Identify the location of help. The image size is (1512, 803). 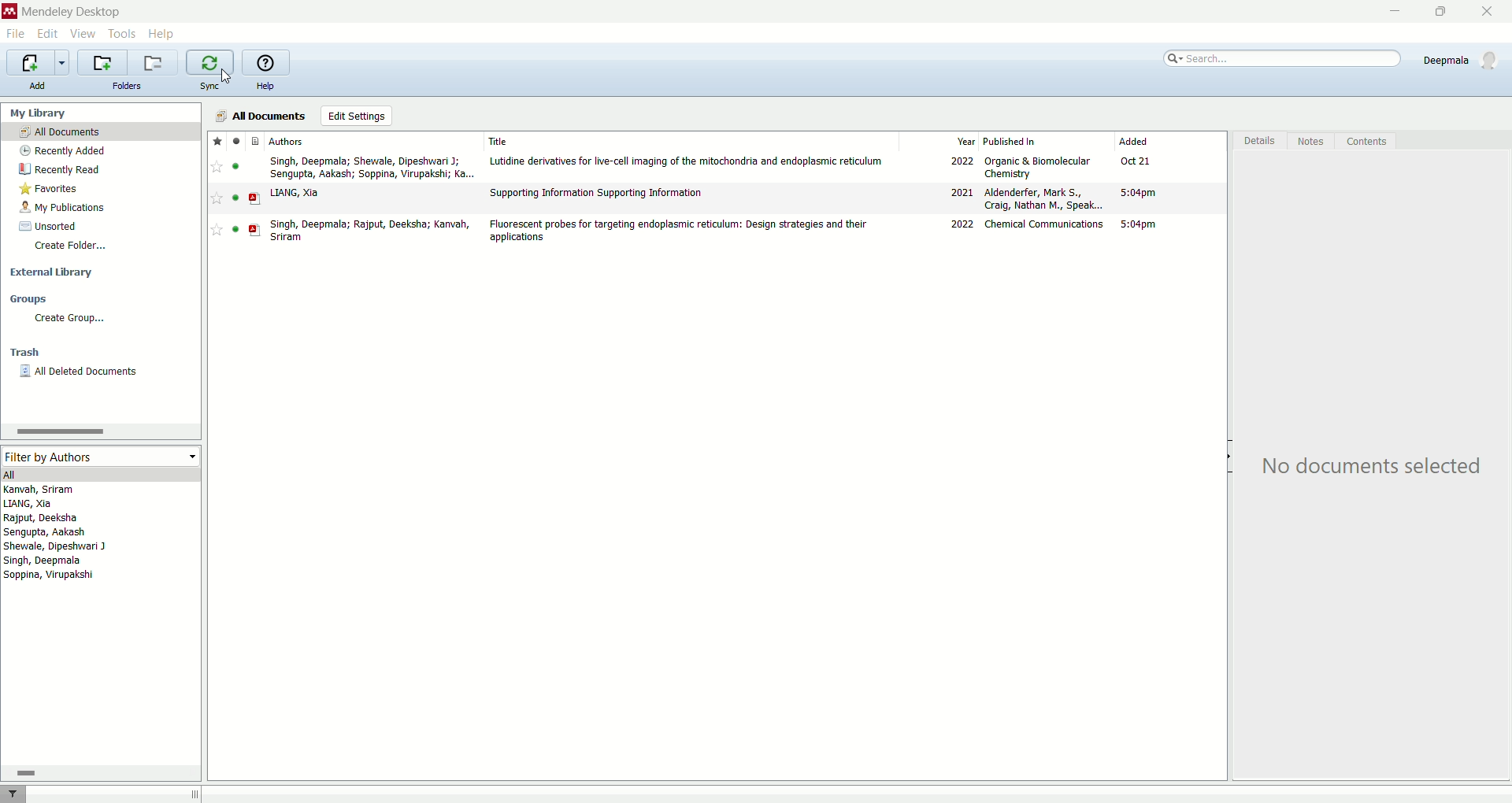
(161, 34).